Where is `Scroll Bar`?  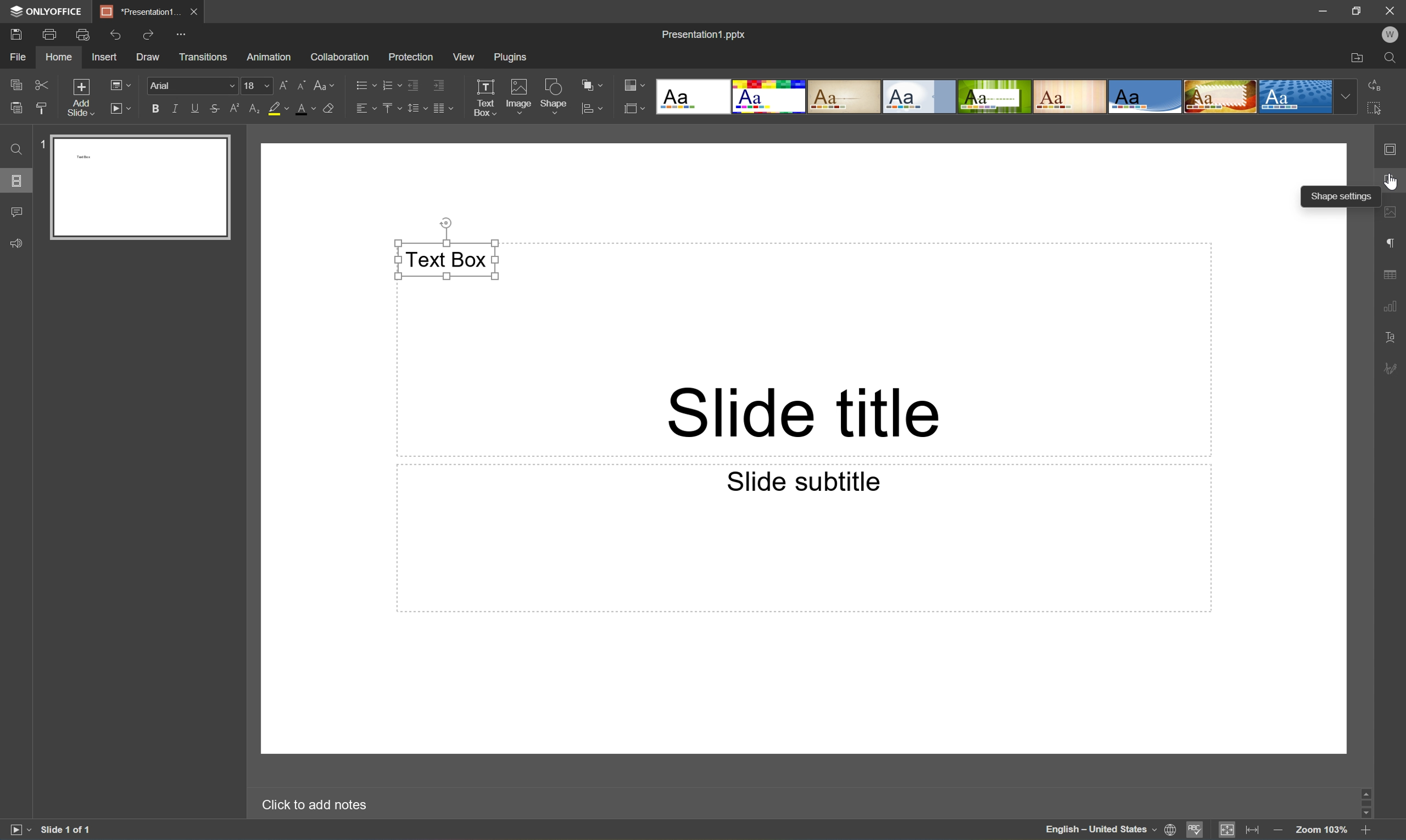
Scroll Bar is located at coordinates (1368, 800).